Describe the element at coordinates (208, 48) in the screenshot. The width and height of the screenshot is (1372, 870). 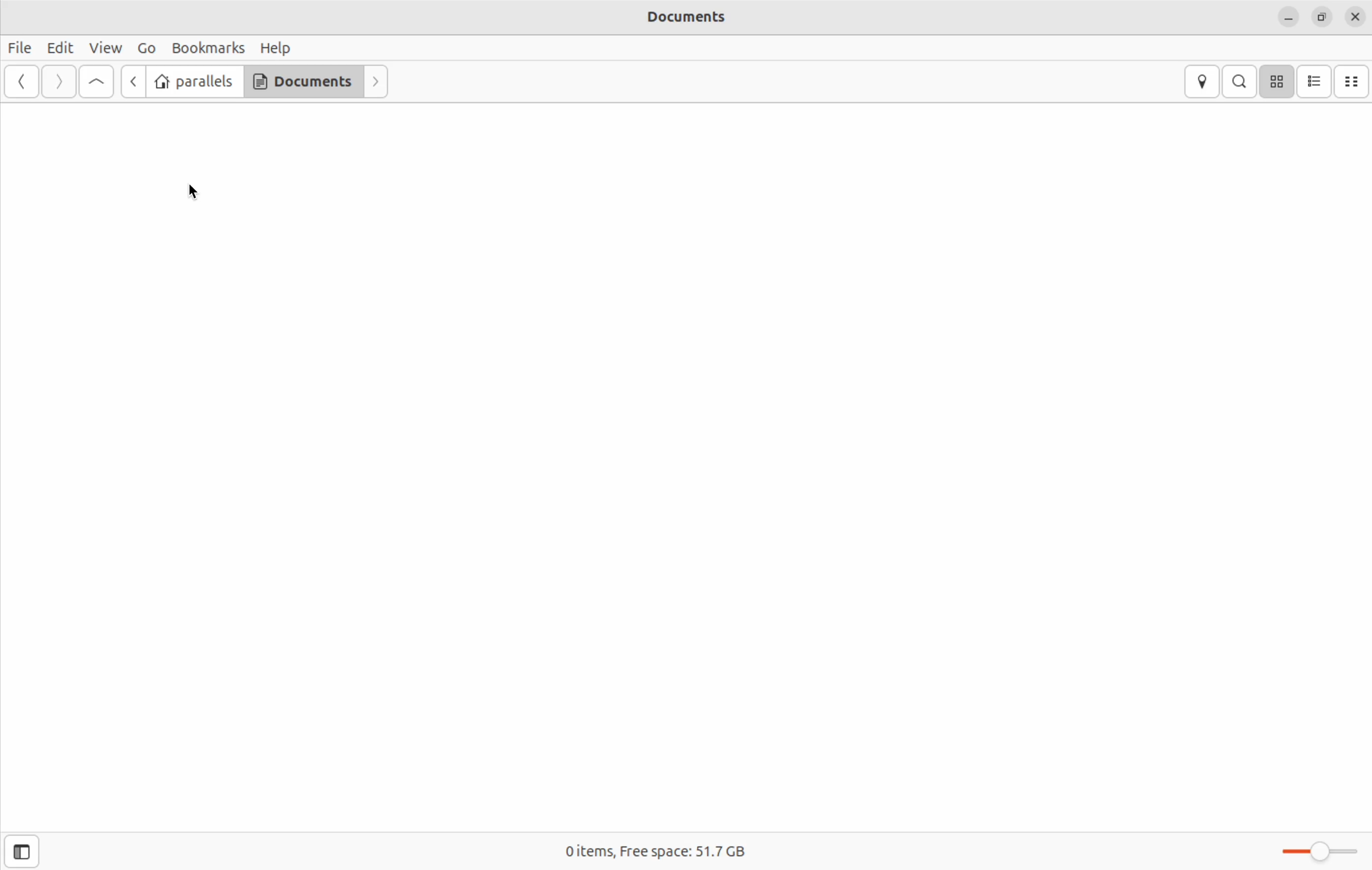
I see `Bookmarks` at that location.